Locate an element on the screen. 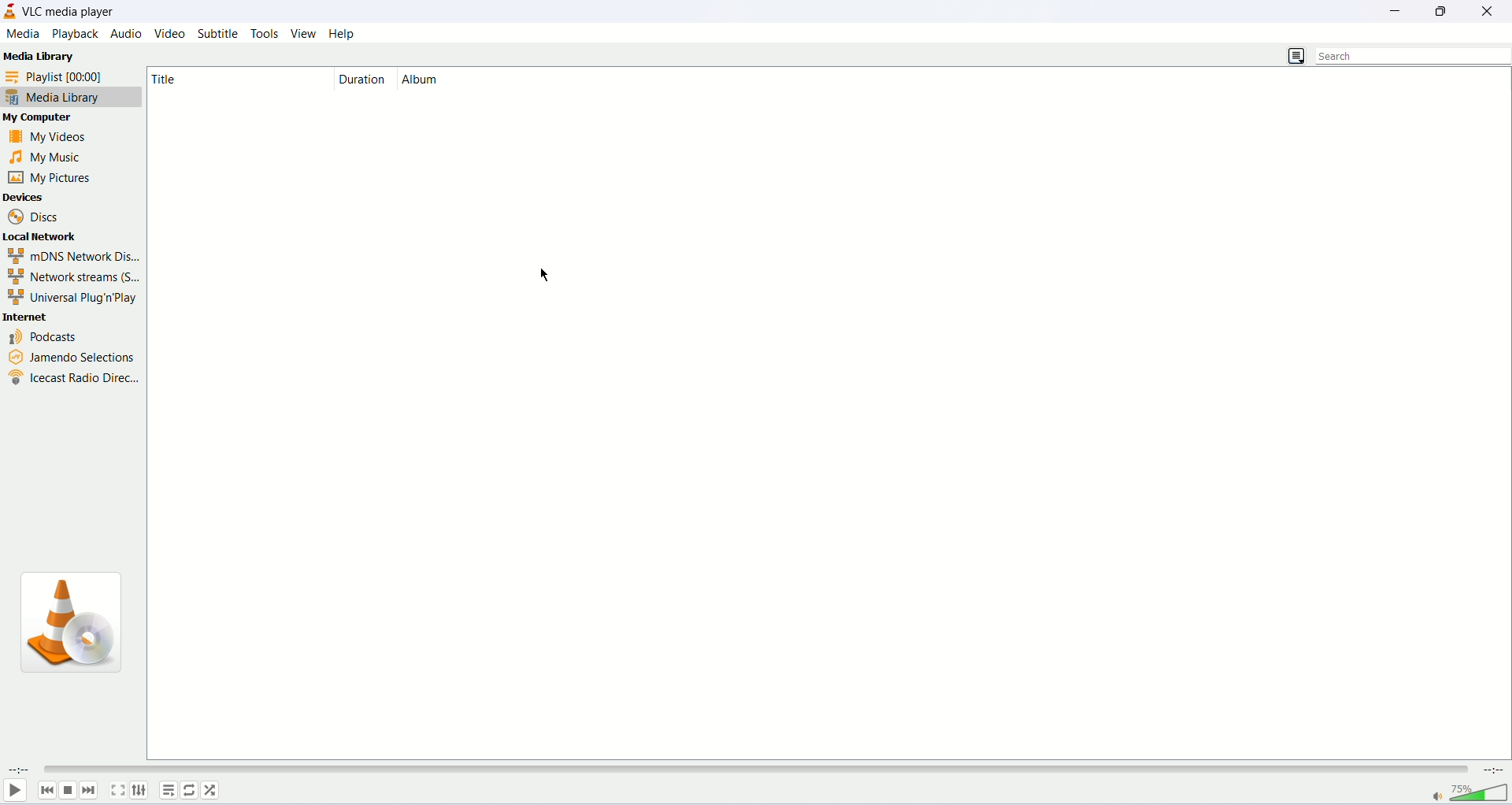  my pictures is located at coordinates (49, 177).